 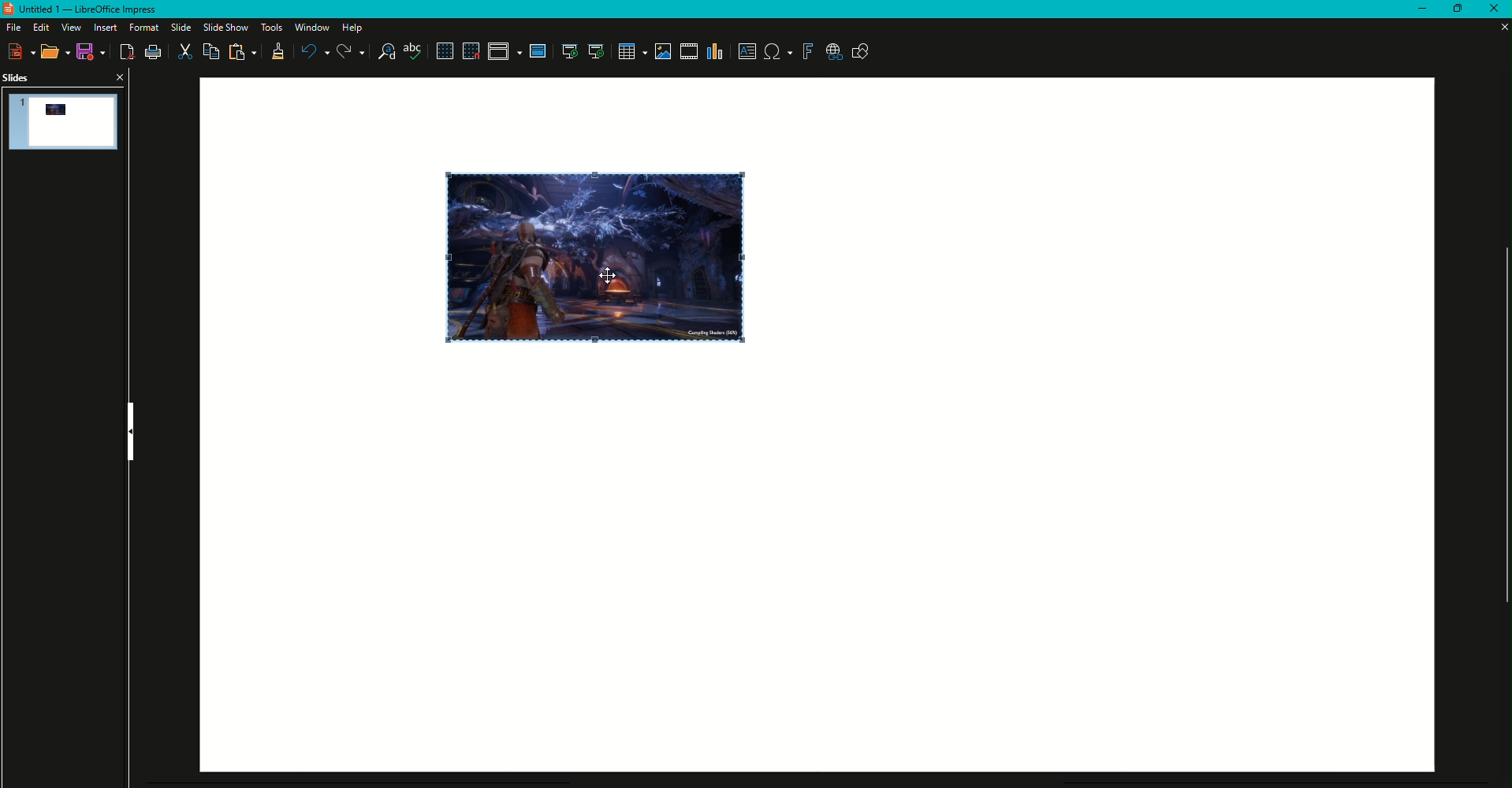 What do you see at coordinates (414, 52) in the screenshot?
I see `Spelling` at bounding box center [414, 52].